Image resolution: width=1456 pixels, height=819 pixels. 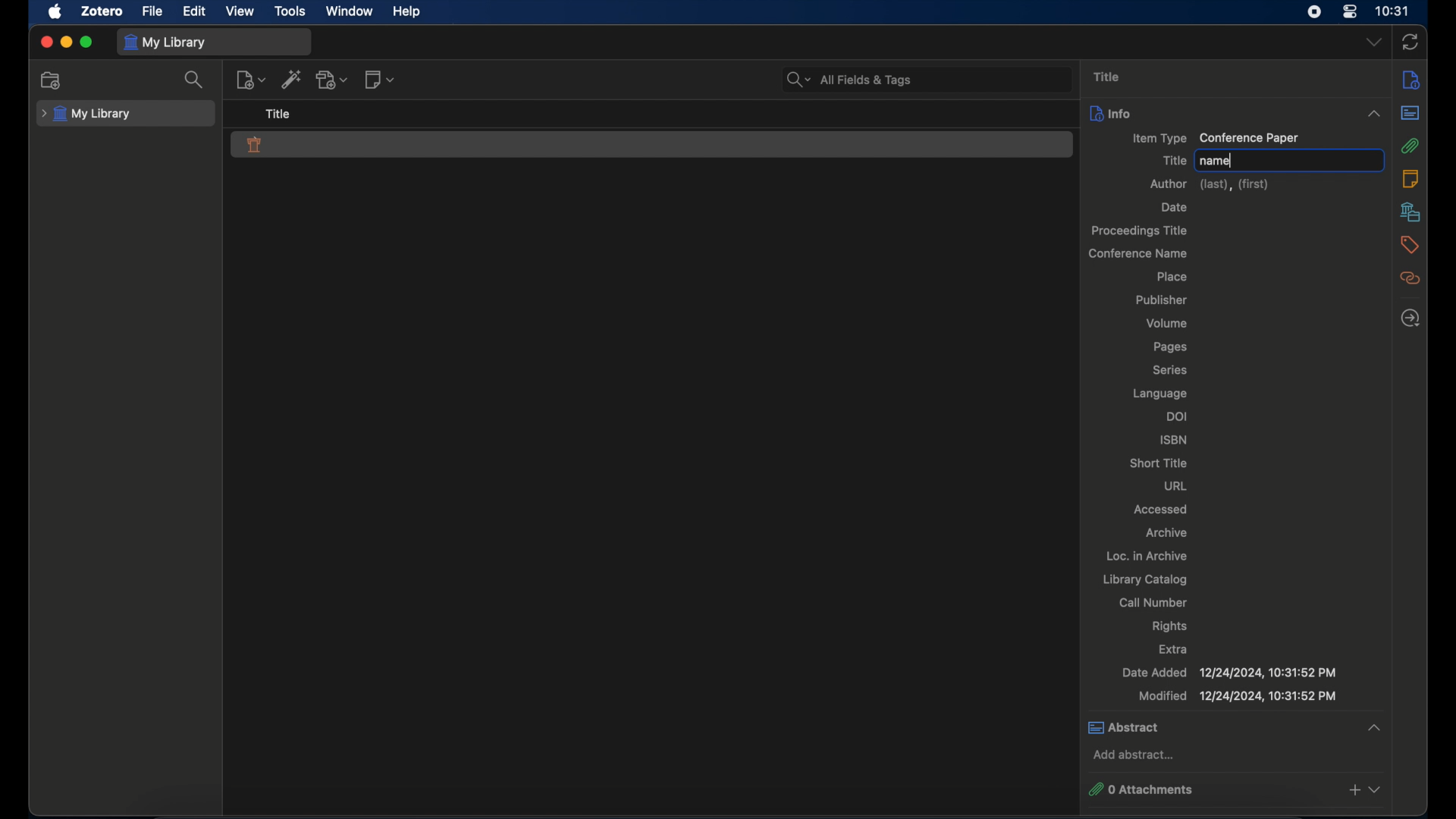 What do you see at coordinates (1411, 212) in the screenshot?
I see `libraries` at bounding box center [1411, 212].